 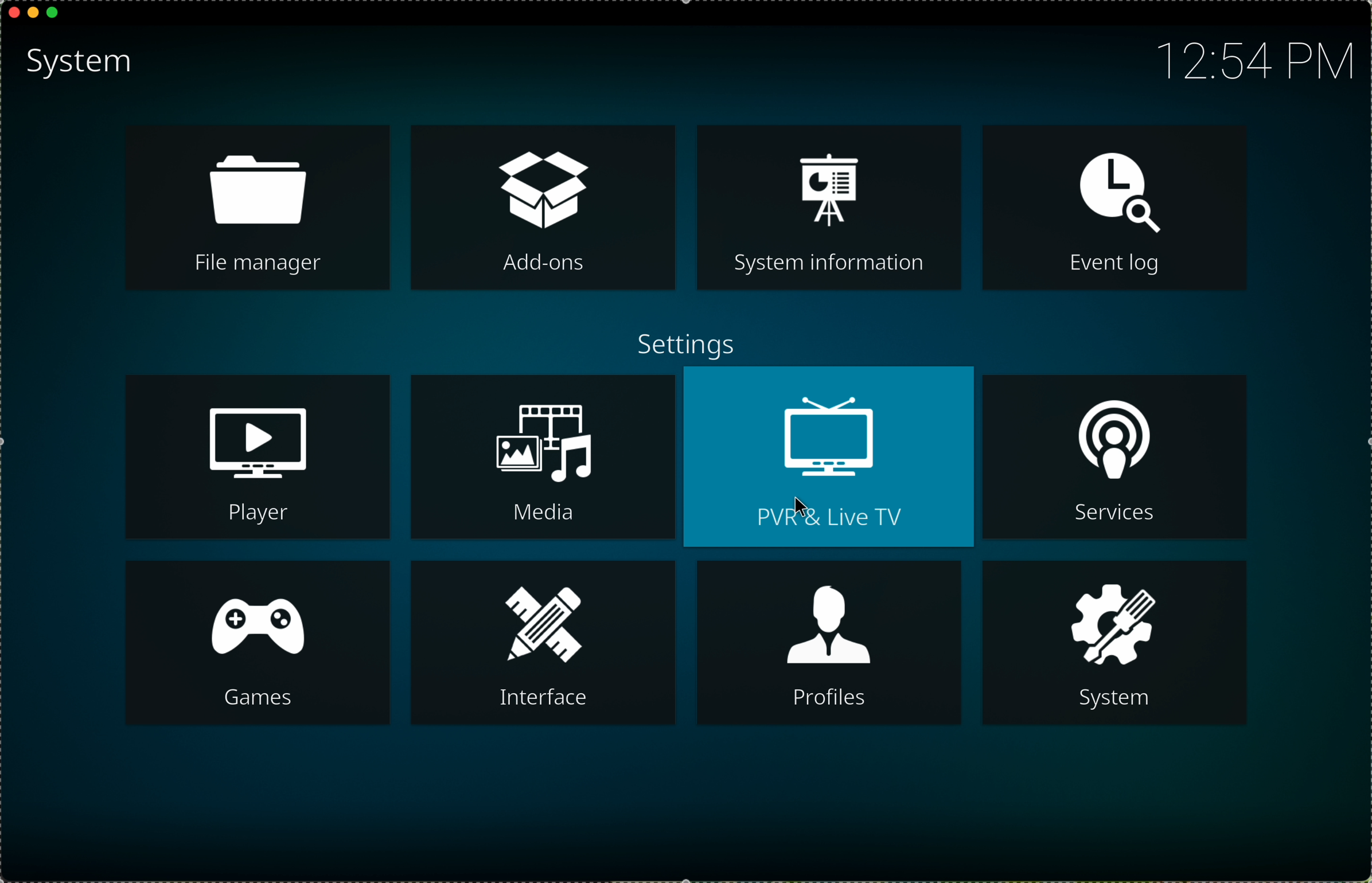 What do you see at coordinates (805, 509) in the screenshot?
I see `Cursor` at bounding box center [805, 509].